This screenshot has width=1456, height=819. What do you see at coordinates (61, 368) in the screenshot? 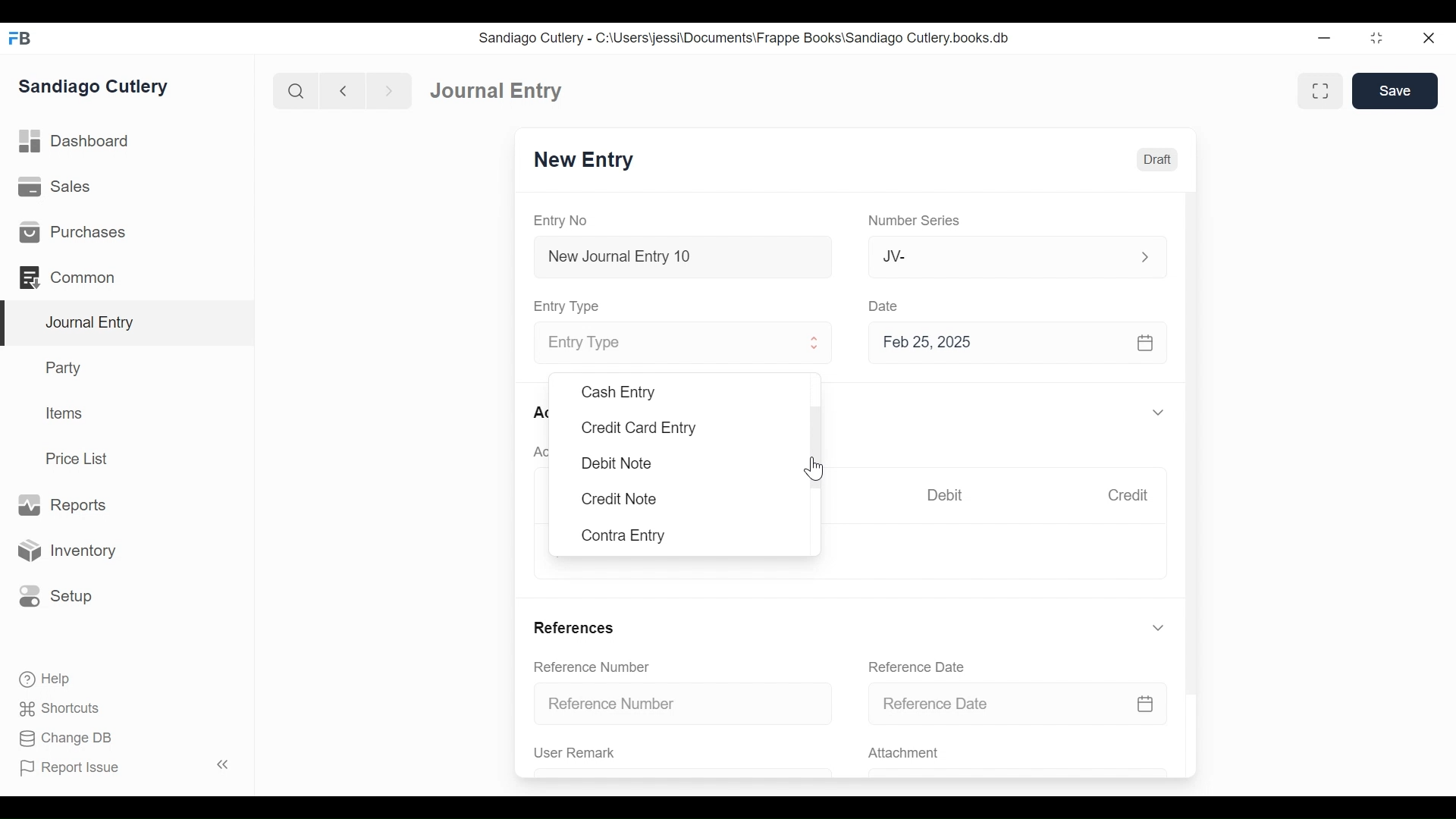
I see `Party` at bounding box center [61, 368].